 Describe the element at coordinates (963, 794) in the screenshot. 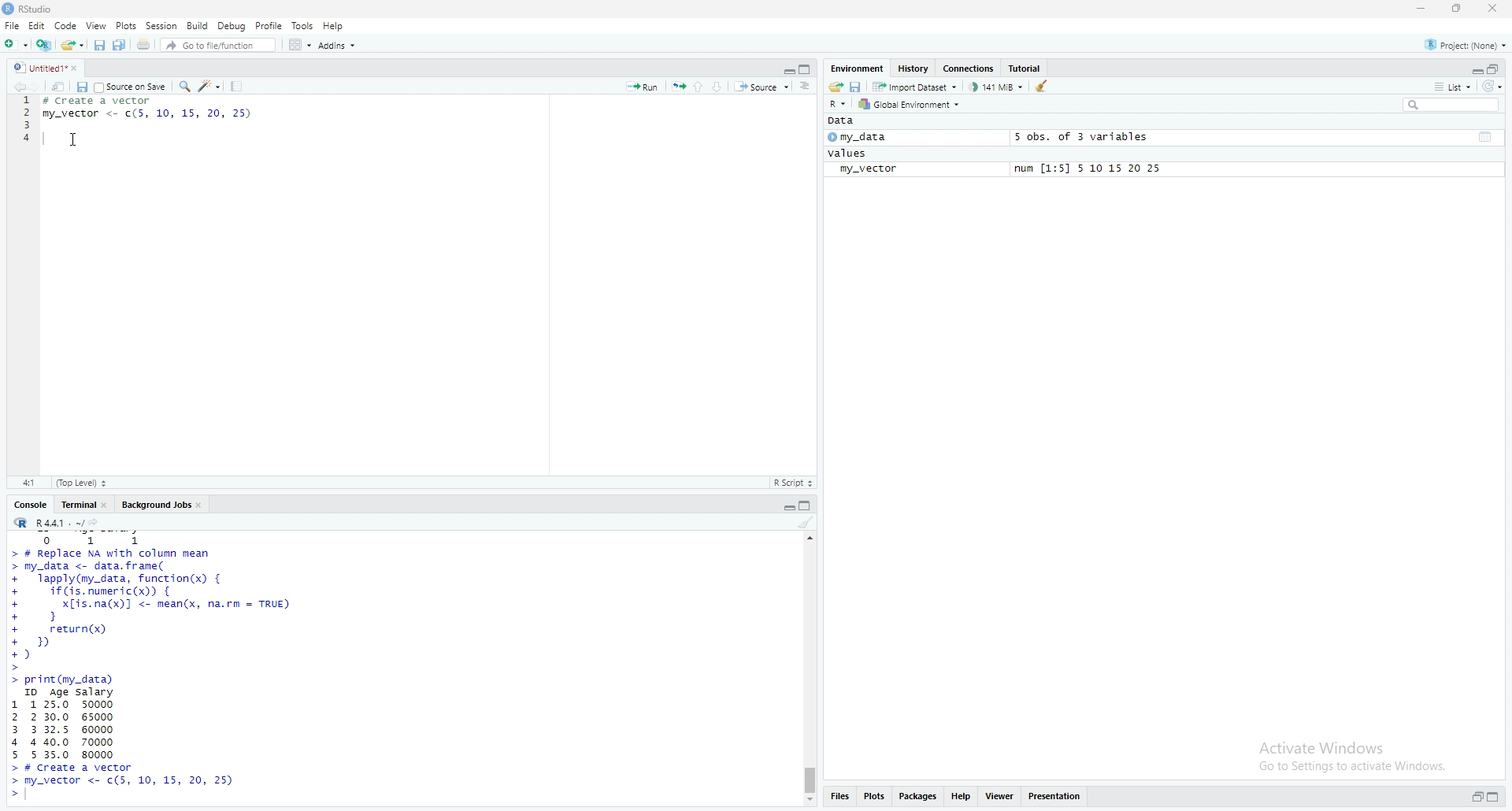

I see `help` at that location.